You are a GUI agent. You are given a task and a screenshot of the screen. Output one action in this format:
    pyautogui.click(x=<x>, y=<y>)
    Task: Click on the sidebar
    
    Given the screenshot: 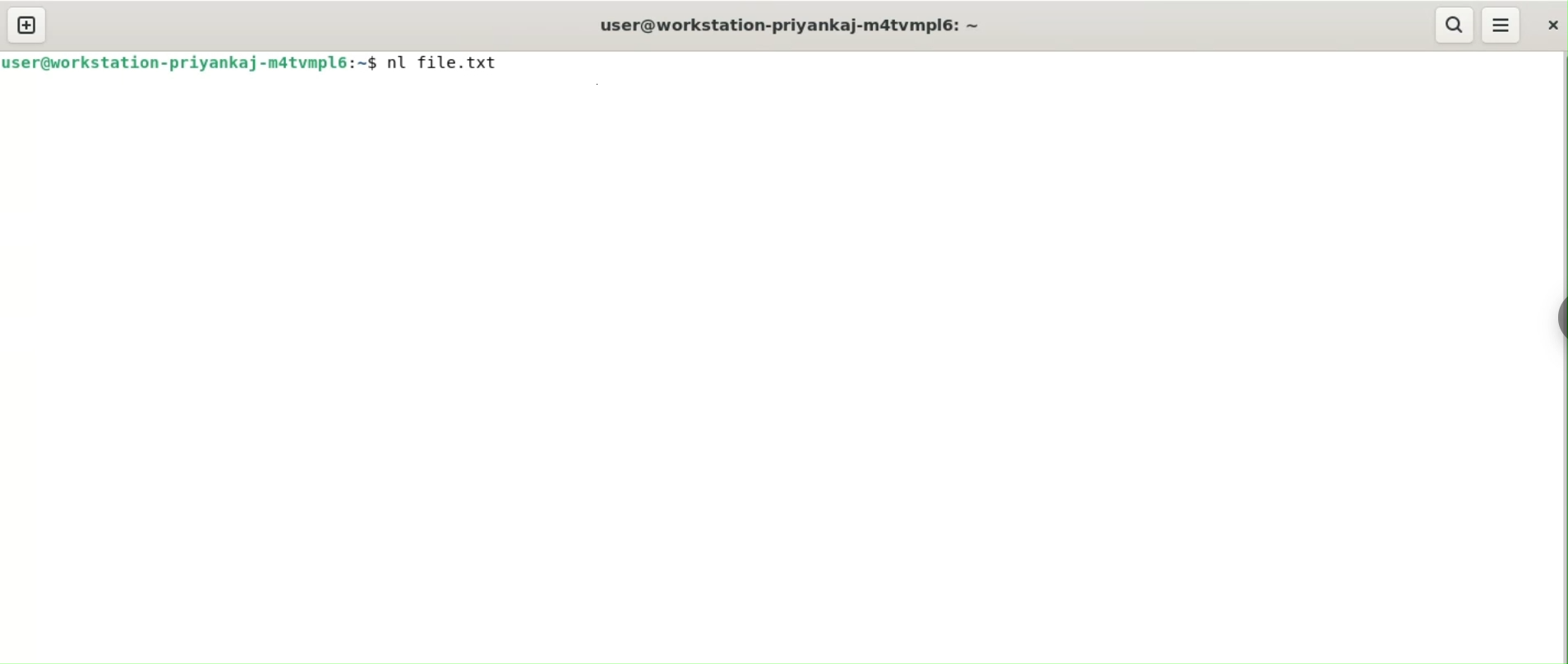 What is the action you would take?
    pyautogui.click(x=1564, y=316)
    